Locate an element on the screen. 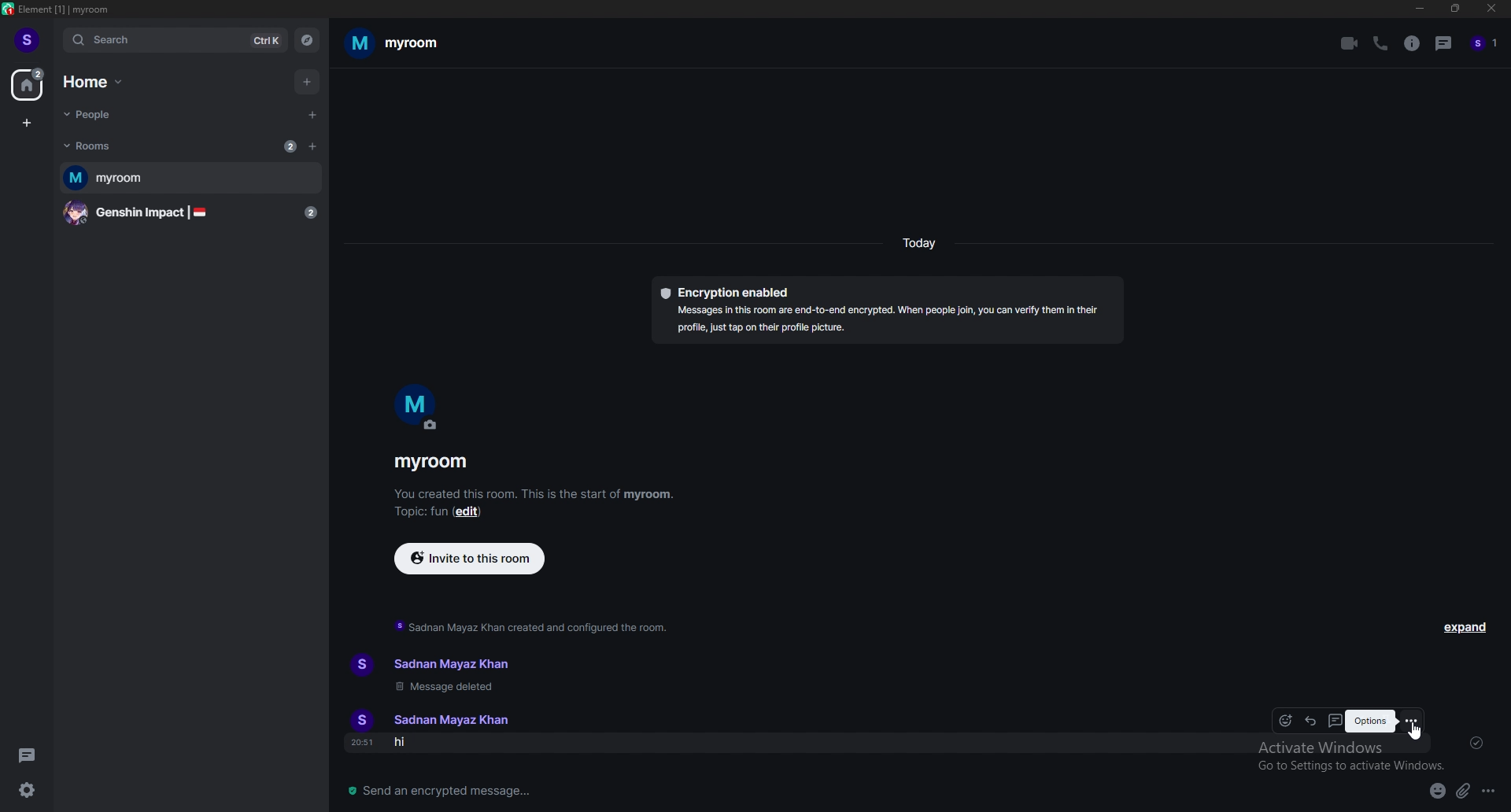 The width and height of the screenshot is (1511, 812). expand is located at coordinates (1467, 627).